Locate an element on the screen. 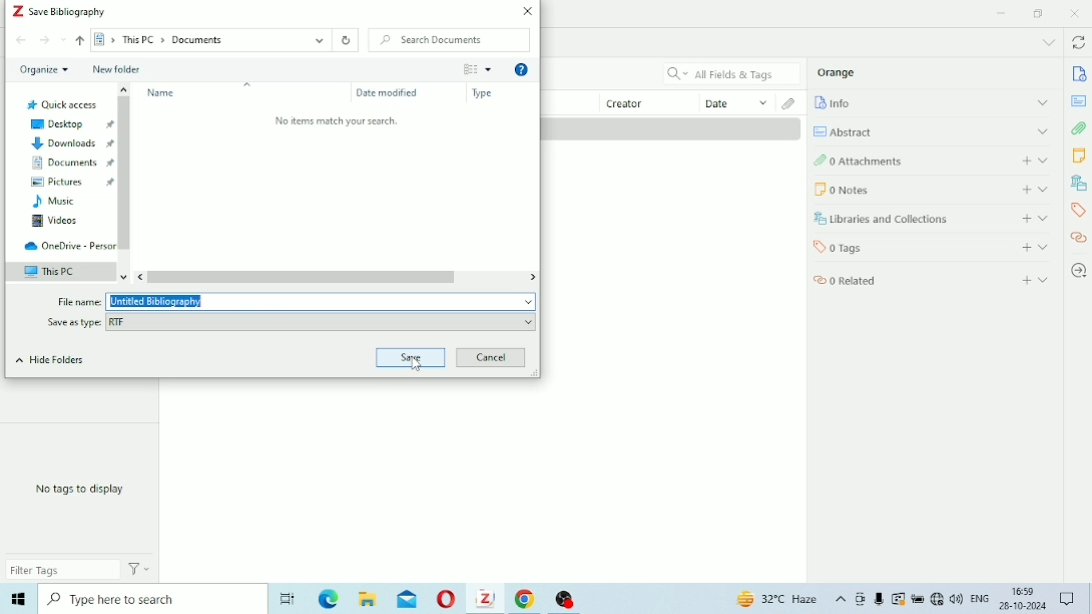 The height and width of the screenshot is (614, 1092). Restore down is located at coordinates (1040, 14).